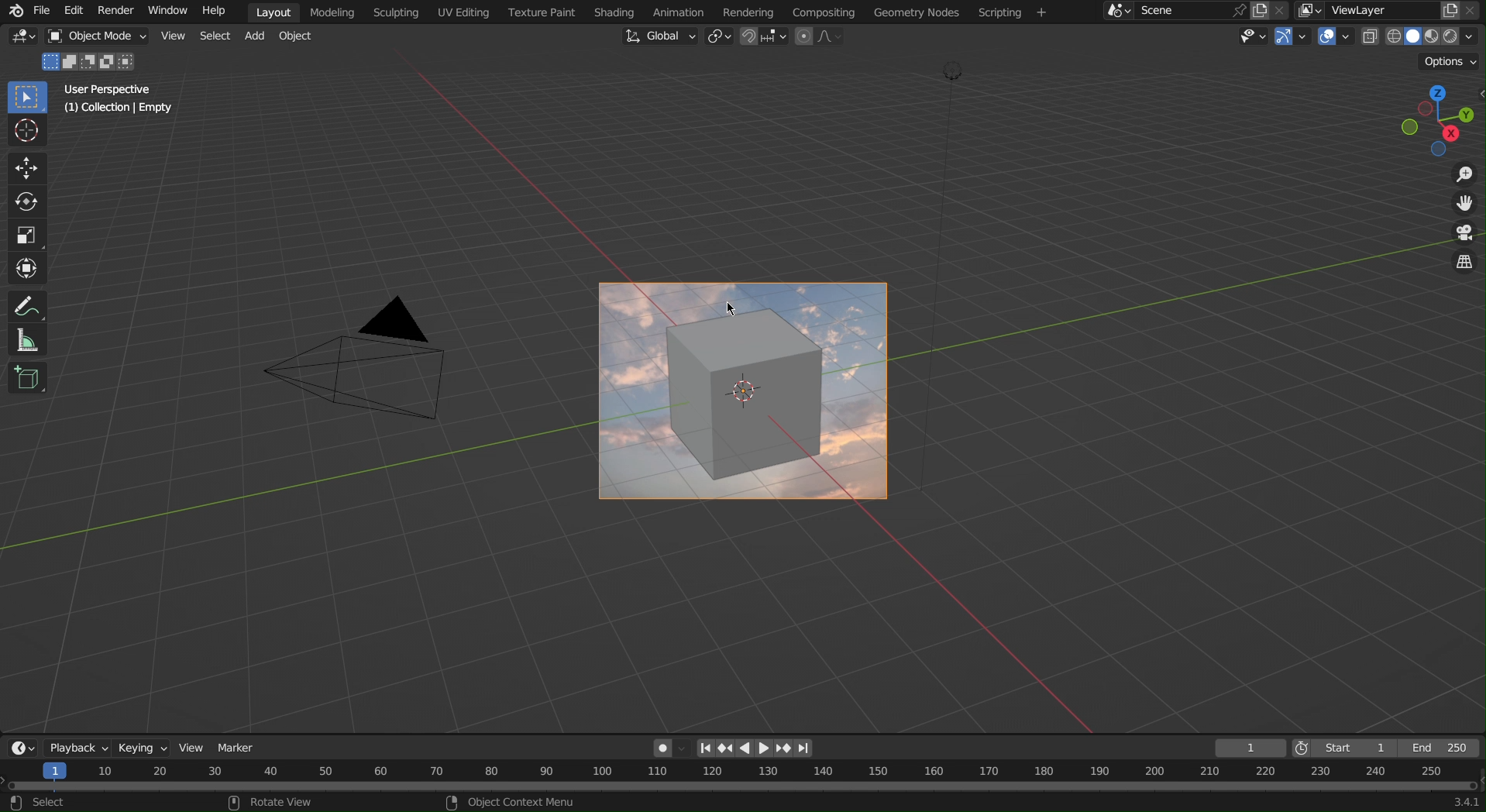  I want to click on Show Overlays, so click(1336, 38).